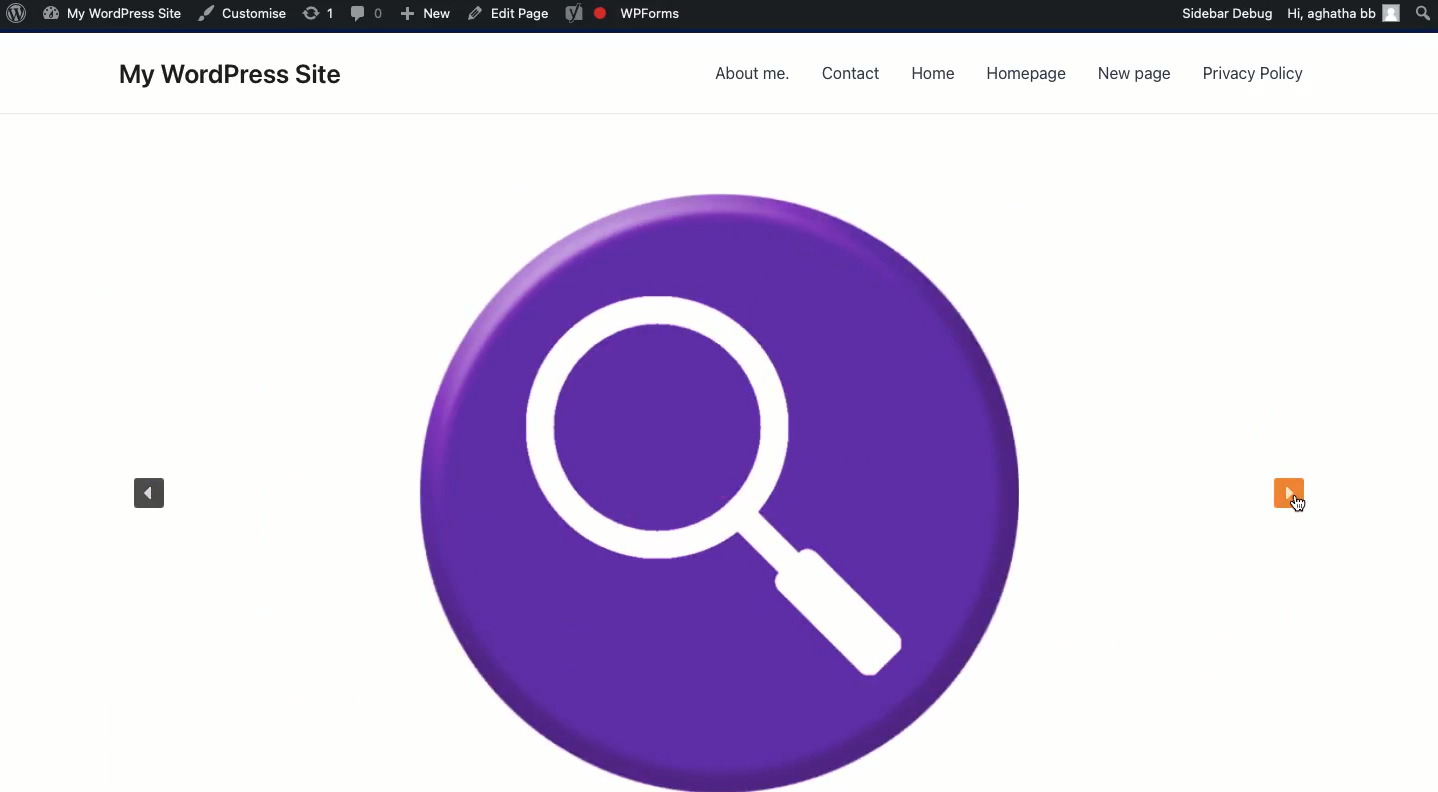 This screenshot has height=792, width=1438. What do you see at coordinates (1332, 17) in the screenshot?
I see `hi, aghatha bb` at bounding box center [1332, 17].